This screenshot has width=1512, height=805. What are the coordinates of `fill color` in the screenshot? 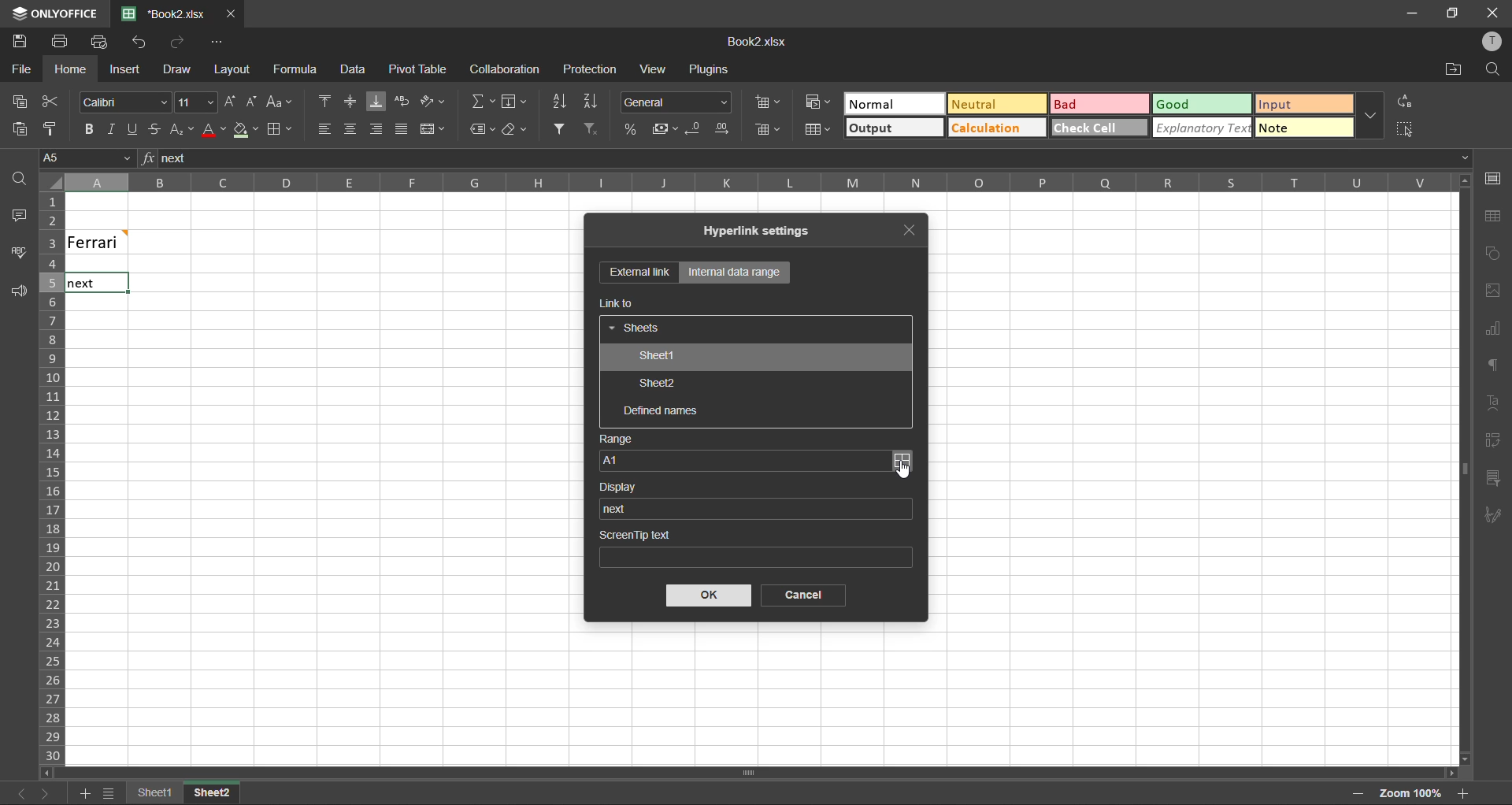 It's located at (246, 130).